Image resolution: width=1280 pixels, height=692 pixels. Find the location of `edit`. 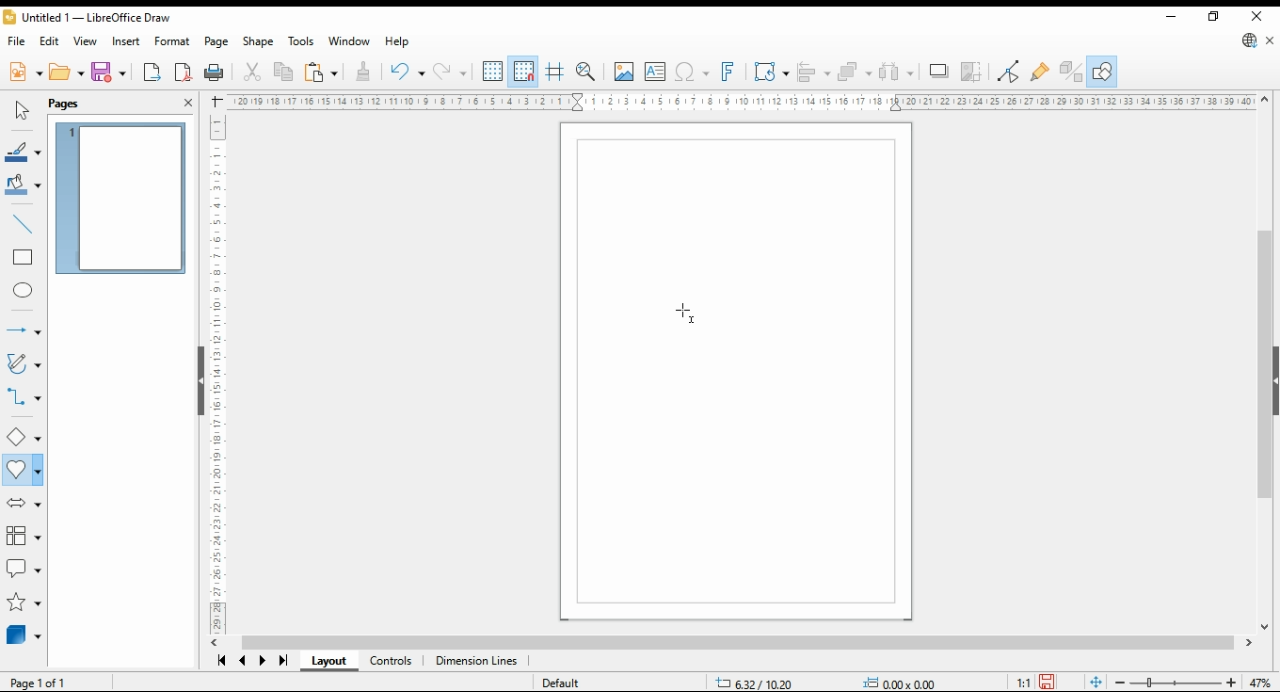

edit is located at coordinates (49, 42).